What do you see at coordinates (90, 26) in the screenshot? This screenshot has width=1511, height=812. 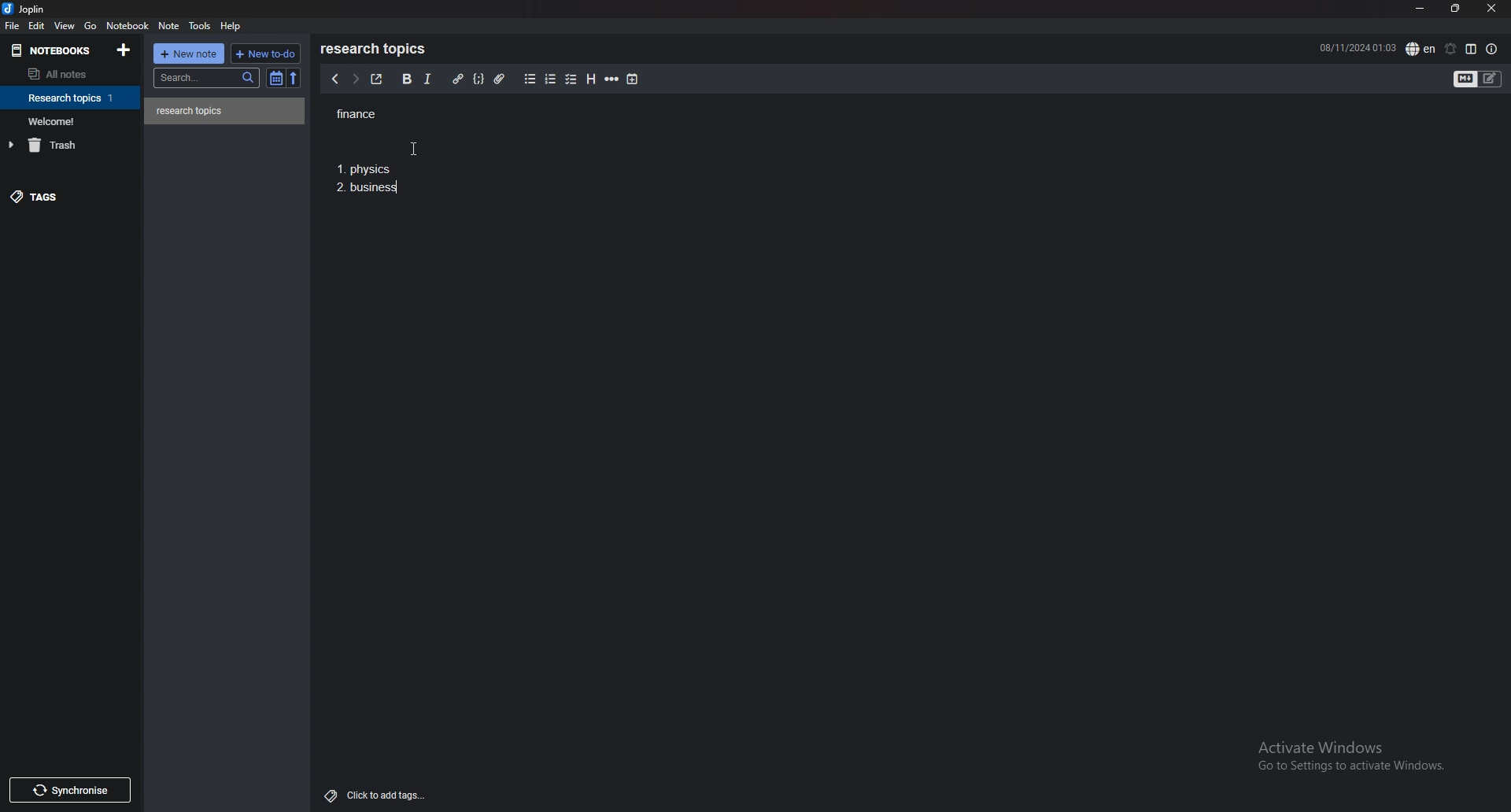 I see `go` at bounding box center [90, 26].